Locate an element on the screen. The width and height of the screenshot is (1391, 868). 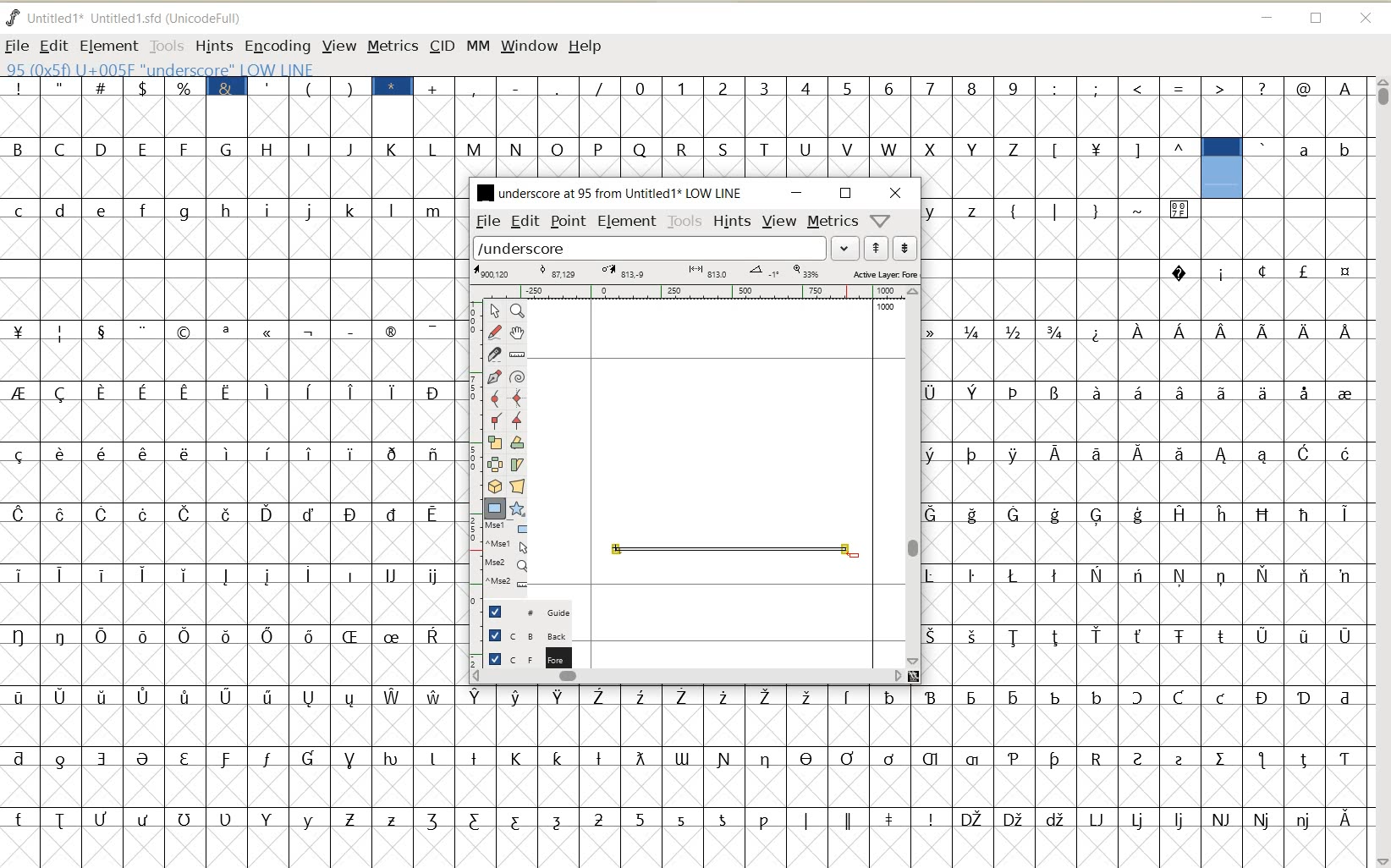
ELLIPSE TOOL/CURSOR POSITION is located at coordinates (855, 556).